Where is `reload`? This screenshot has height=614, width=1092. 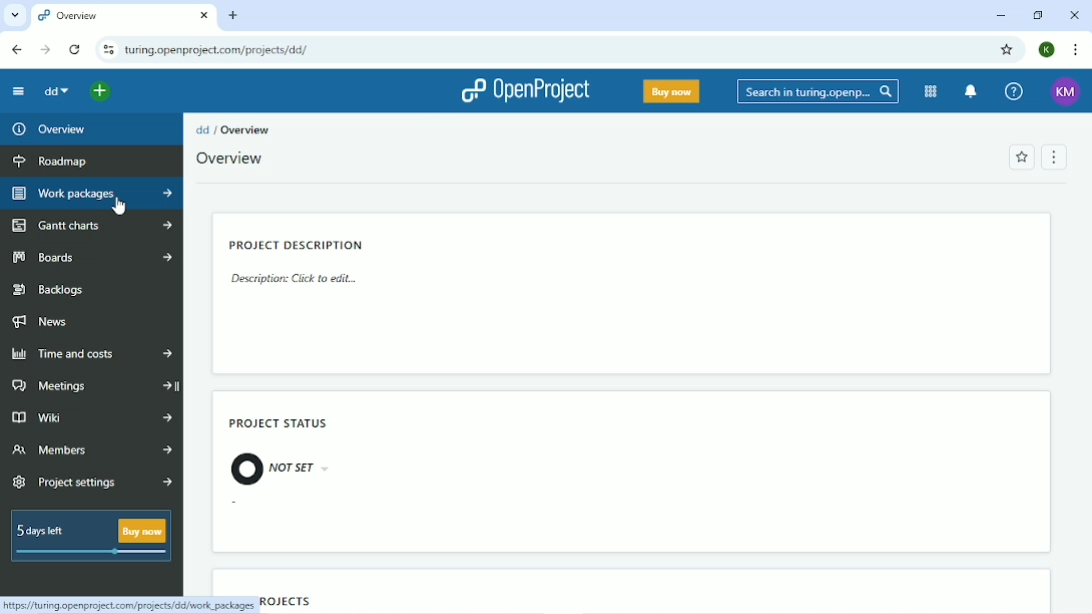
reload is located at coordinates (73, 48).